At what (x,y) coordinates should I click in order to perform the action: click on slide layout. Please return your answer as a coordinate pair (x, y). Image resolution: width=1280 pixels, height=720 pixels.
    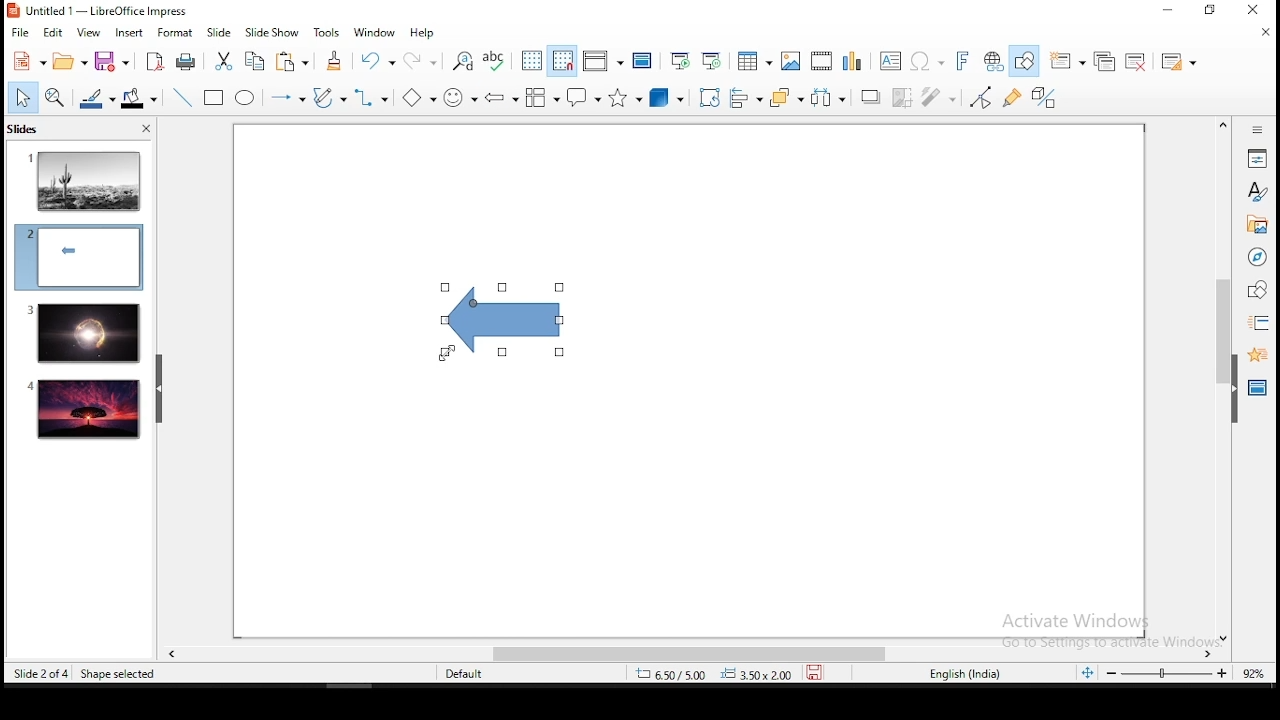
    Looking at the image, I should click on (1176, 62).